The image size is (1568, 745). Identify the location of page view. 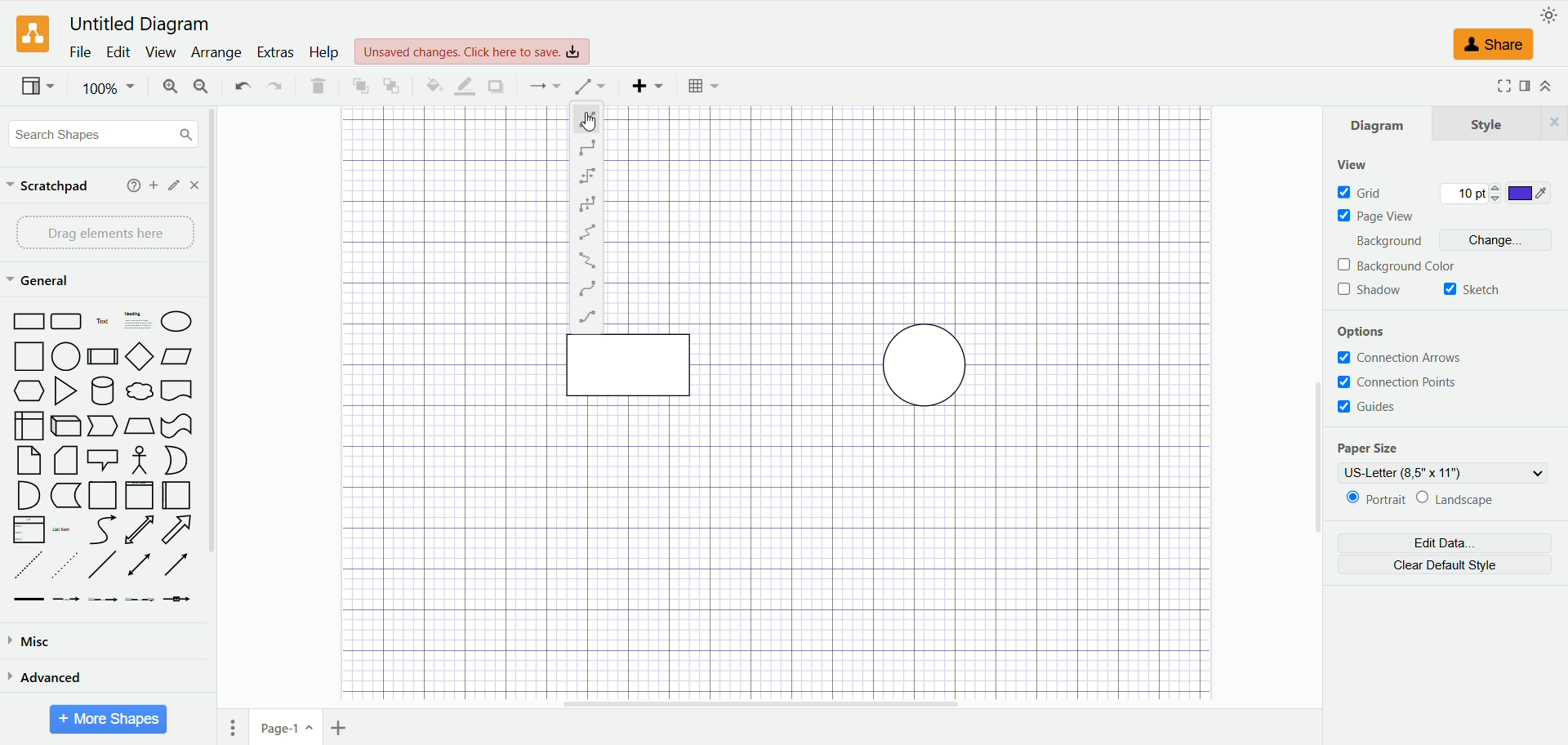
(1376, 216).